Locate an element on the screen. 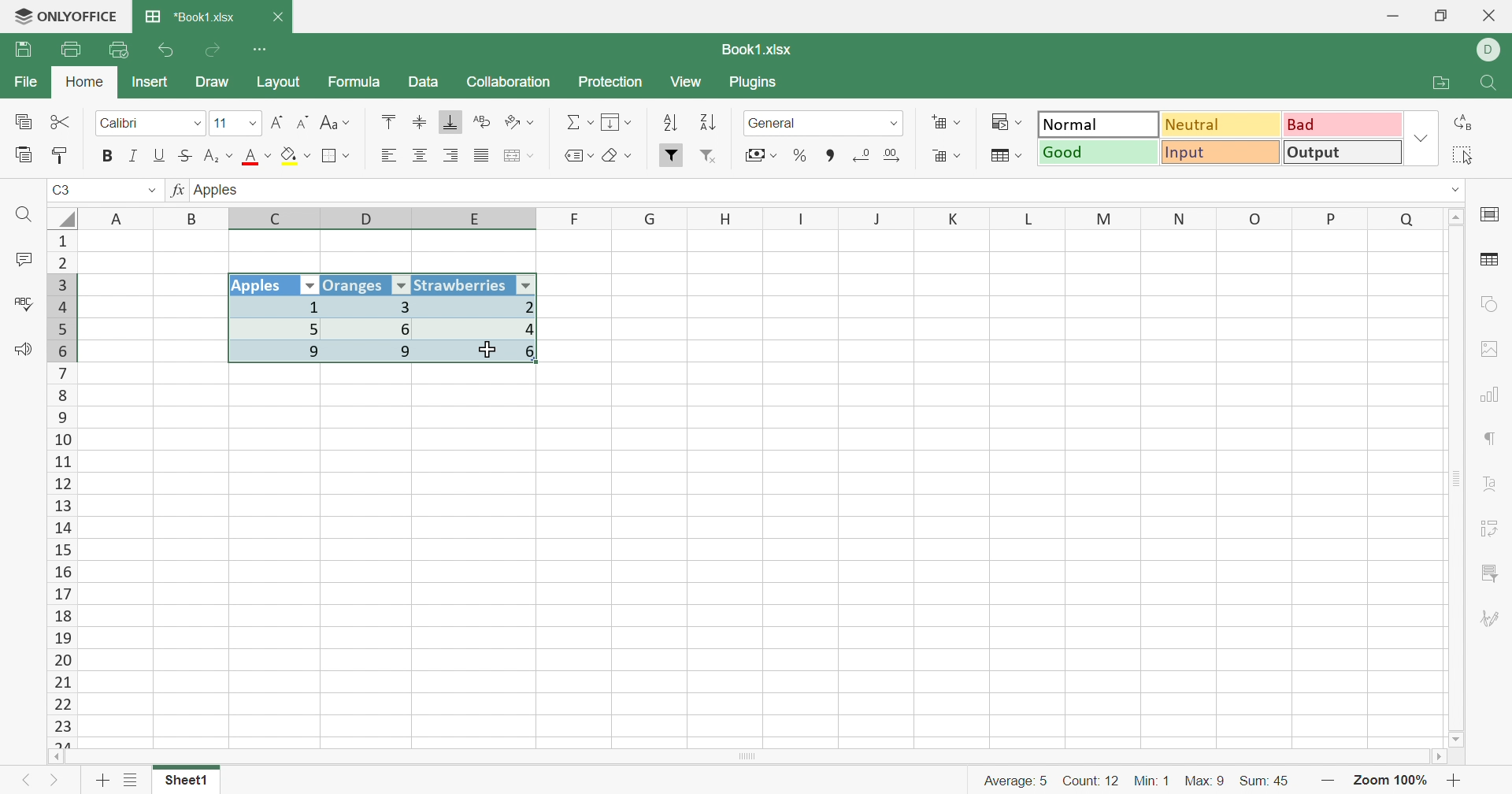 The width and height of the screenshot is (1512, 794). Pivot table settings is located at coordinates (1496, 525).